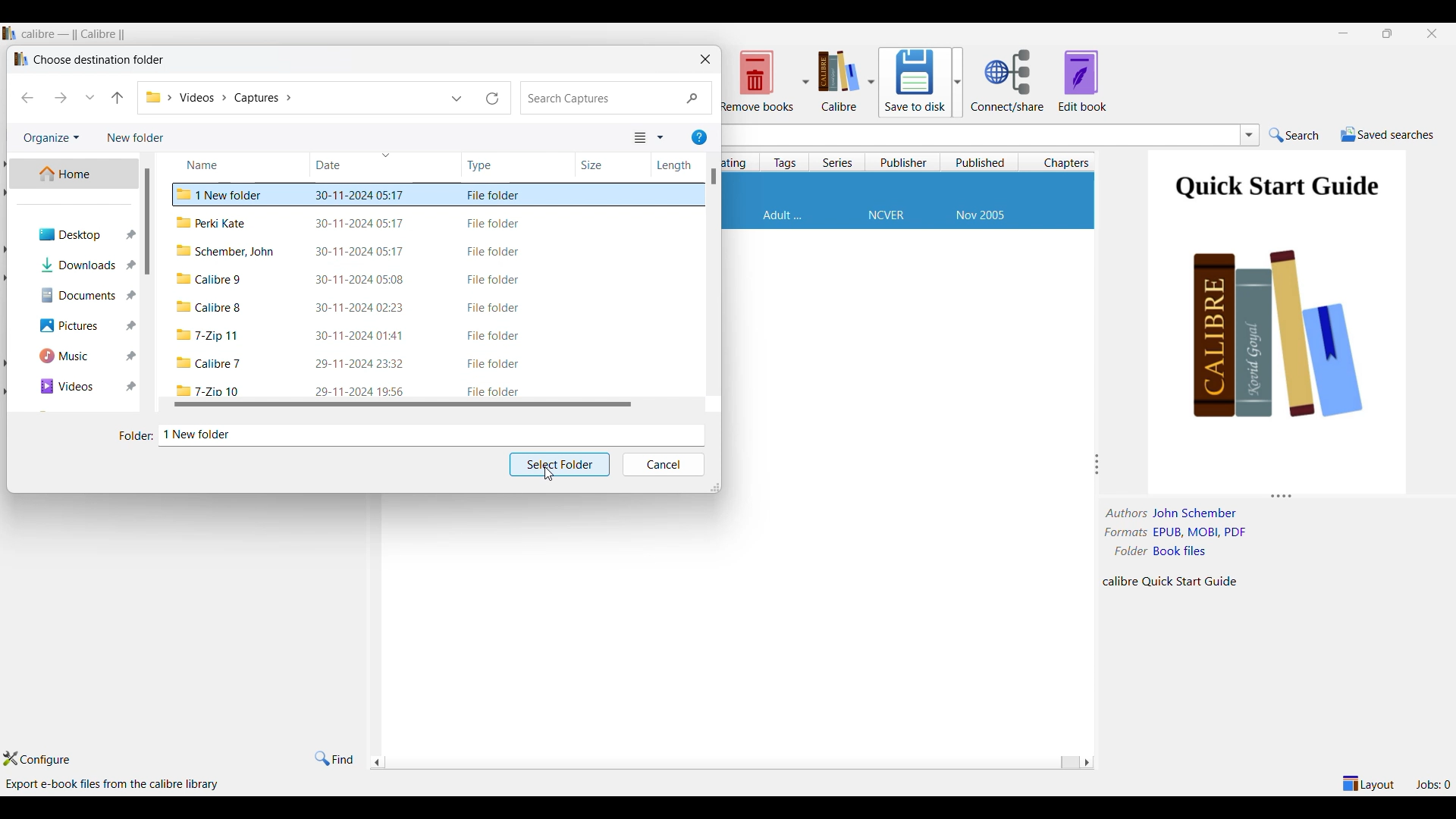 The width and height of the screenshot is (1456, 819). I want to click on Name column, so click(217, 162).